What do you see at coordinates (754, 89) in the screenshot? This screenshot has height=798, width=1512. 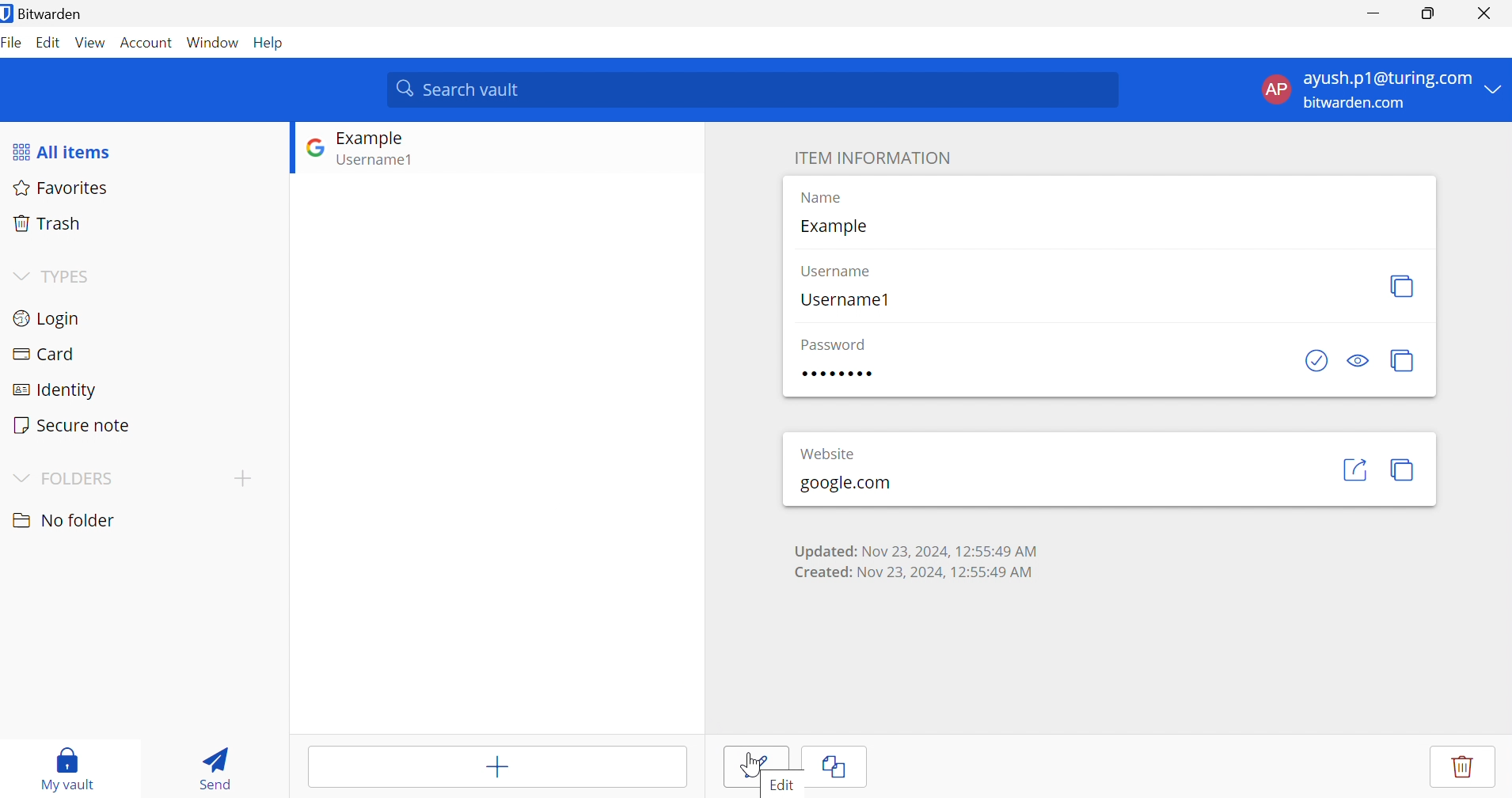 I see `Search vault` at bounding box center [754, 89].